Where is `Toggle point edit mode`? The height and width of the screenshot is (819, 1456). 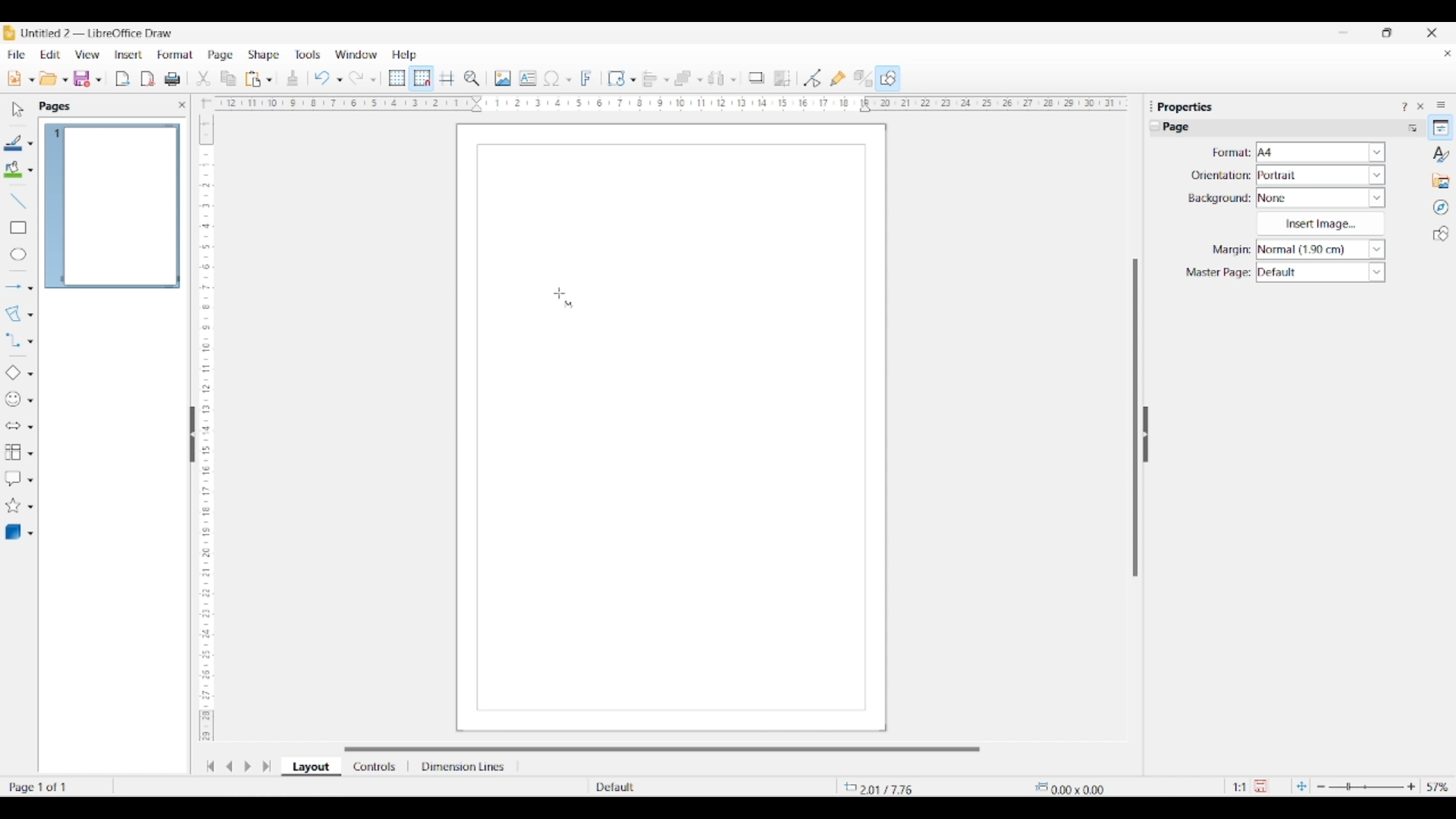 Toggle point edit mode is located at coordinates (813, 79).